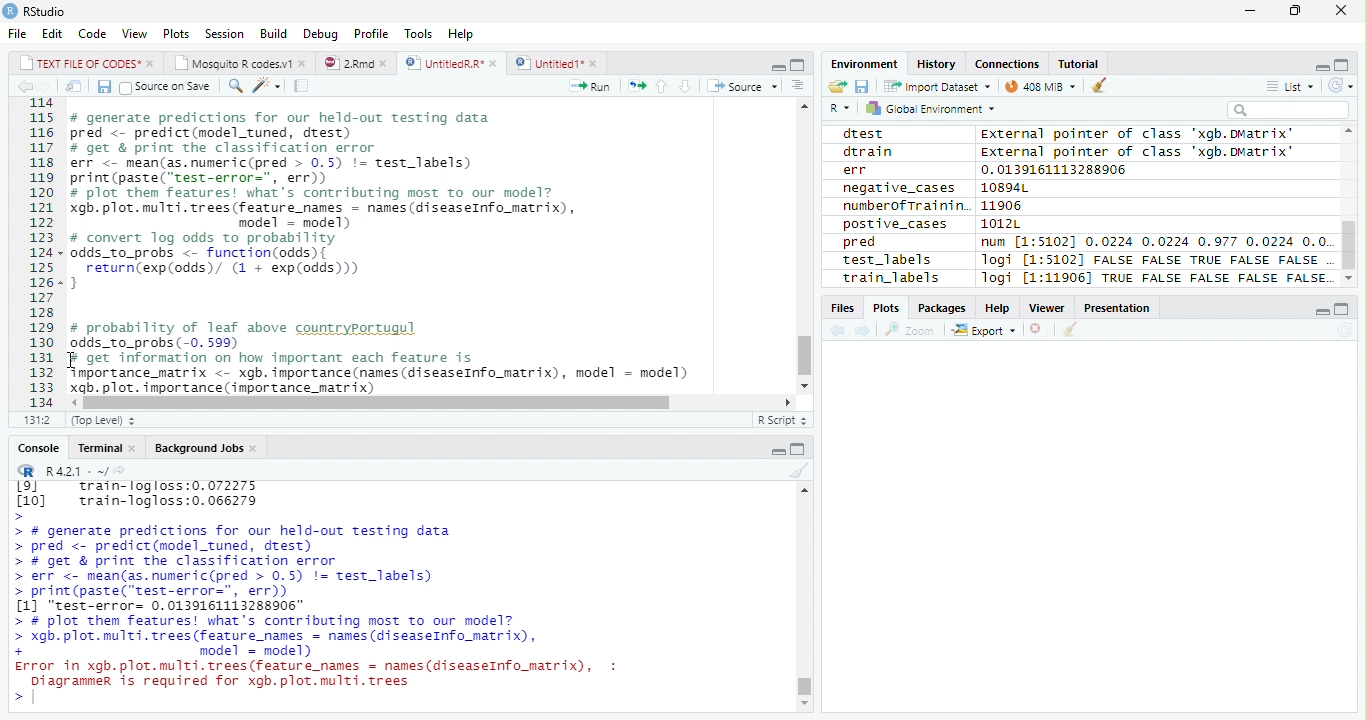 The height and width of the screenshot is (720, 1366). I want to click on Previous, so click(23, 87).